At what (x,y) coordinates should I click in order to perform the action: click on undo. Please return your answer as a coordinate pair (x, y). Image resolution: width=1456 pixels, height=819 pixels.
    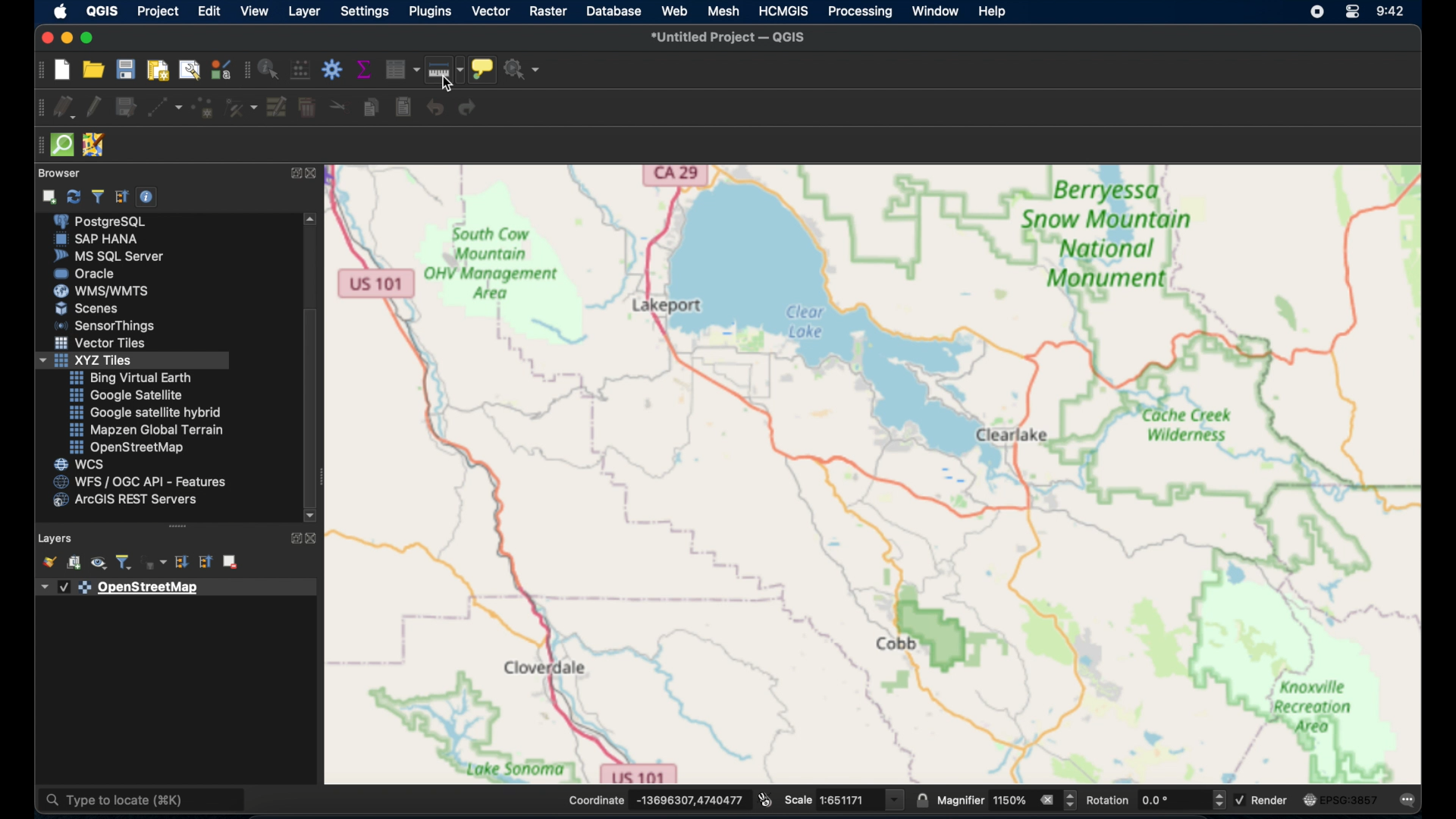
    Looking at the image, I should click on (431, 108).